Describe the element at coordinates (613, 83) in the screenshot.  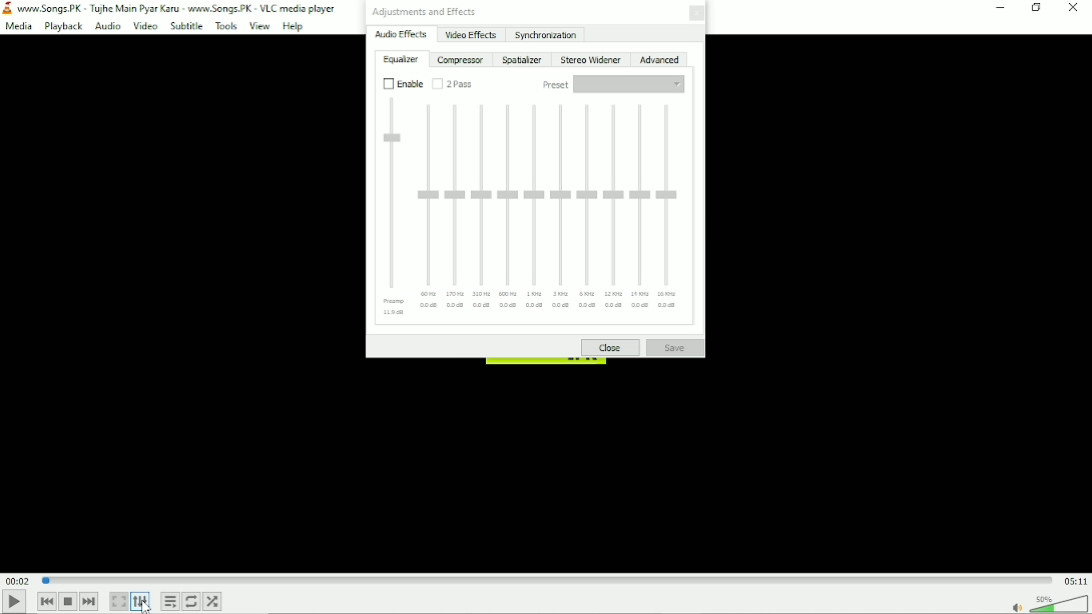
I see `Preset` at that location.